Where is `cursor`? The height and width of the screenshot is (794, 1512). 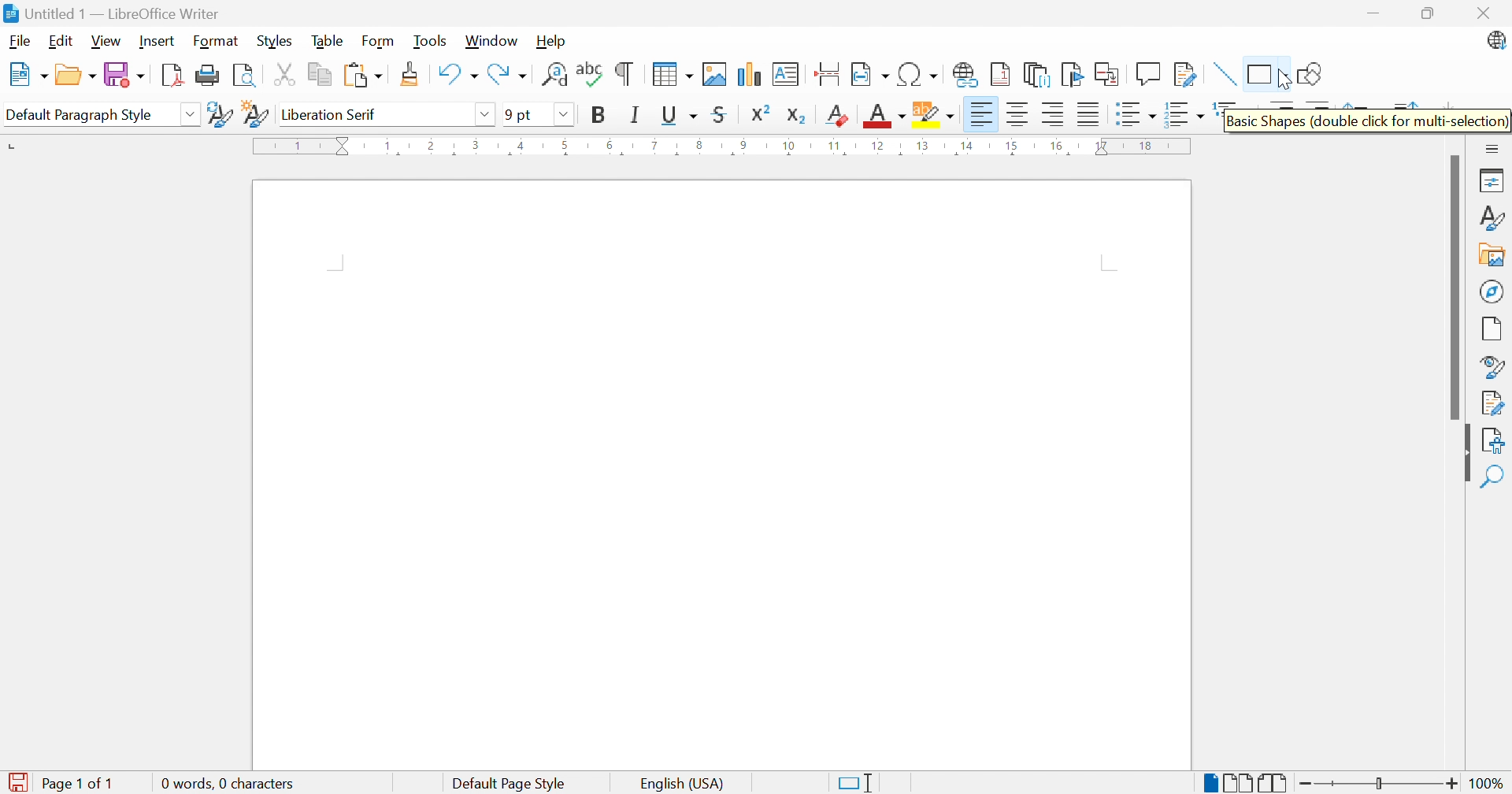 cursor is located at coordinates (1281, 82).